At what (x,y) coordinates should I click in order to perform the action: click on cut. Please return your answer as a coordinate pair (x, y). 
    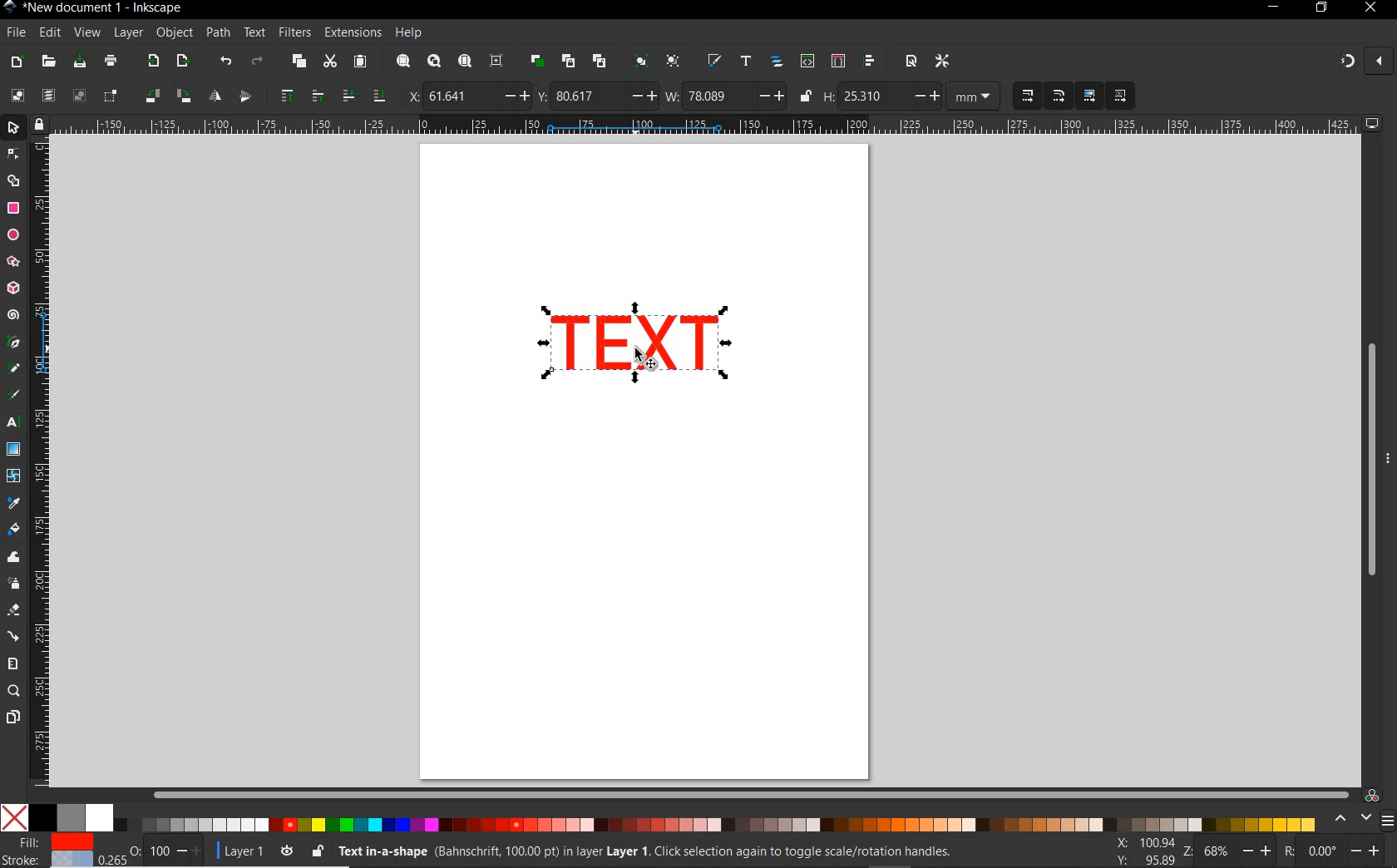
    Looking at the image, I should click on (329, 62).